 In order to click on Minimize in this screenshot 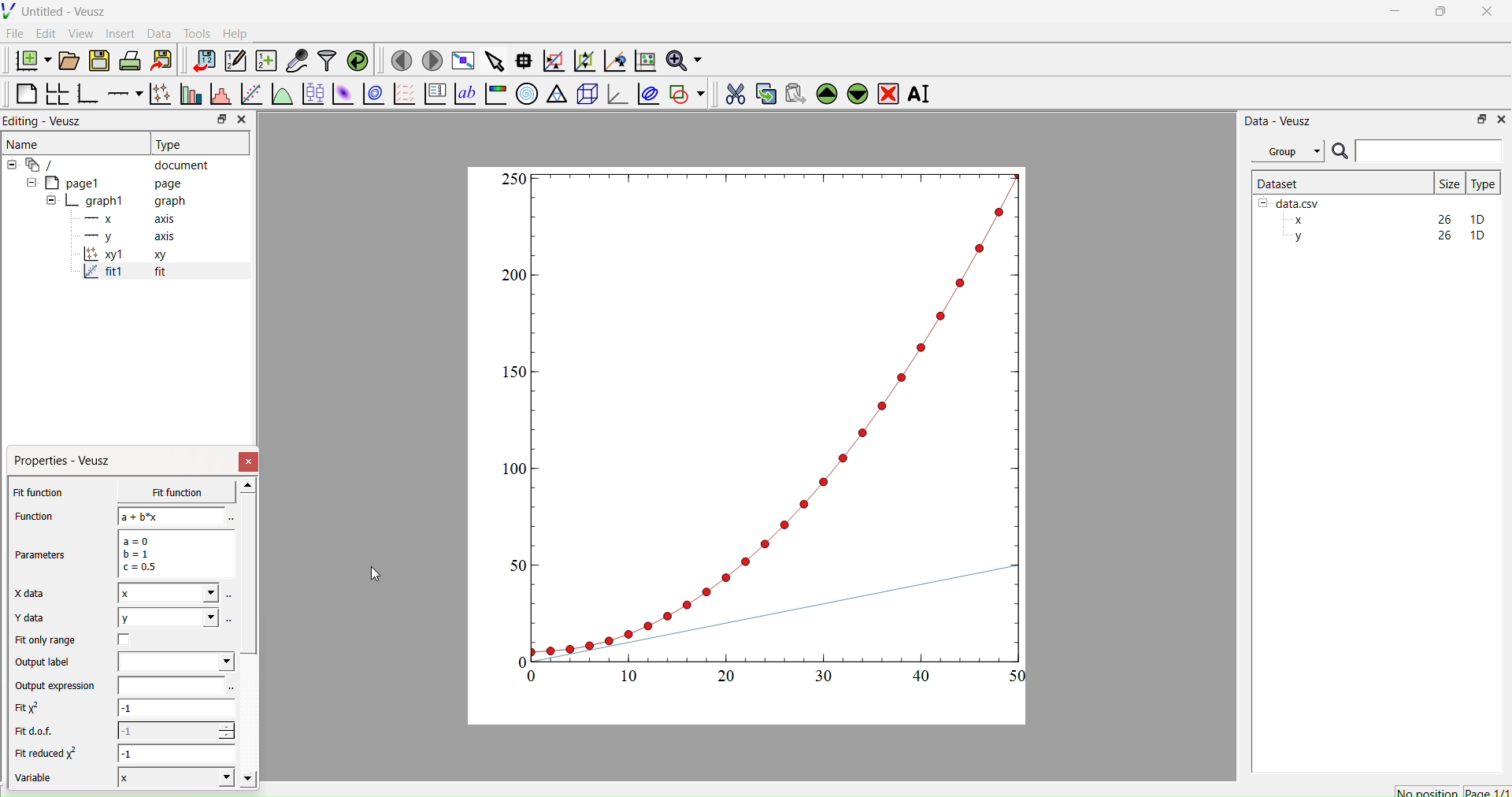, I will do `click(1395, 15)`.